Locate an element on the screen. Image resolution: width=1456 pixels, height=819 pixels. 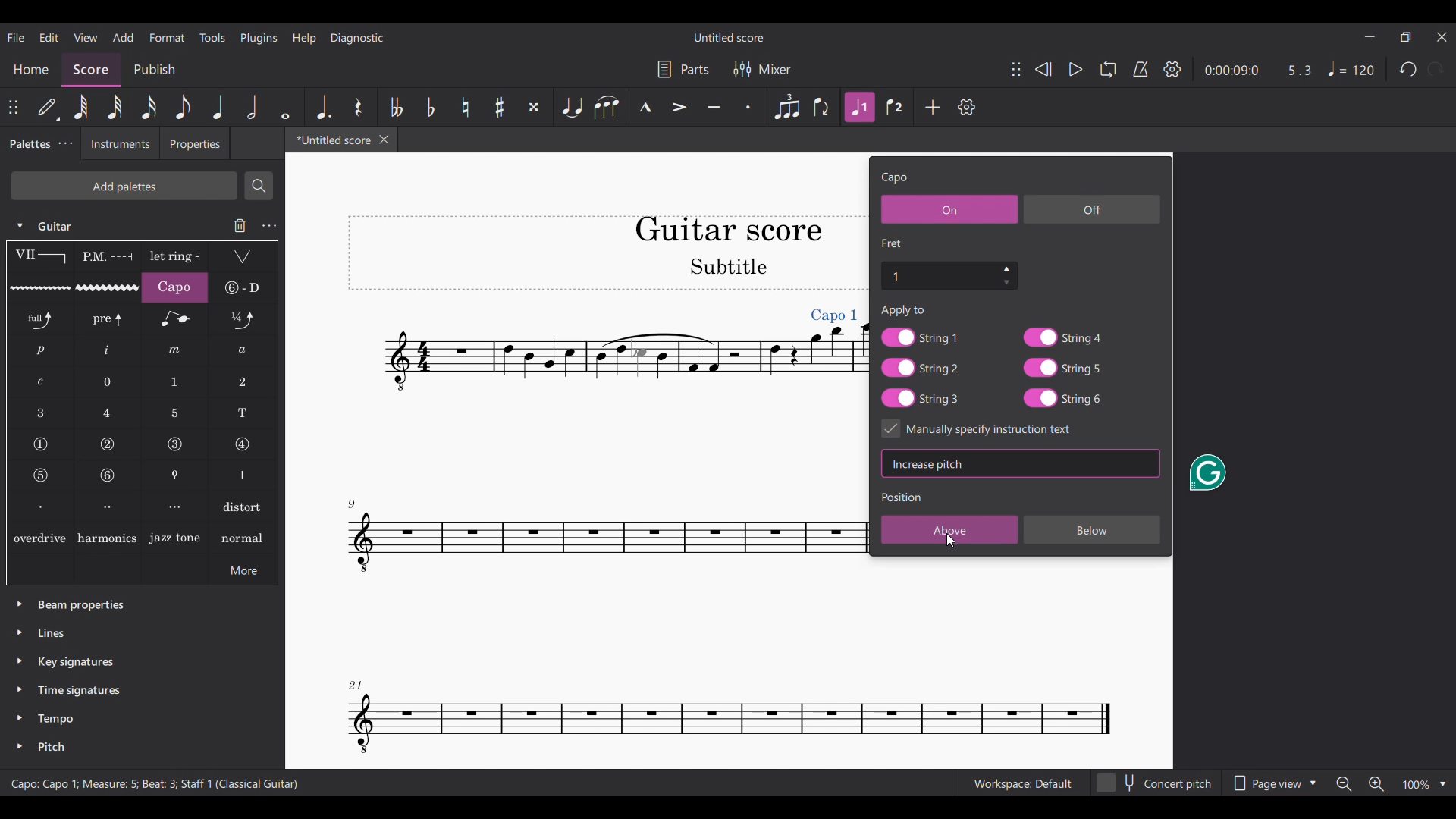
Zoom options is located at coordinates (1424, 785).